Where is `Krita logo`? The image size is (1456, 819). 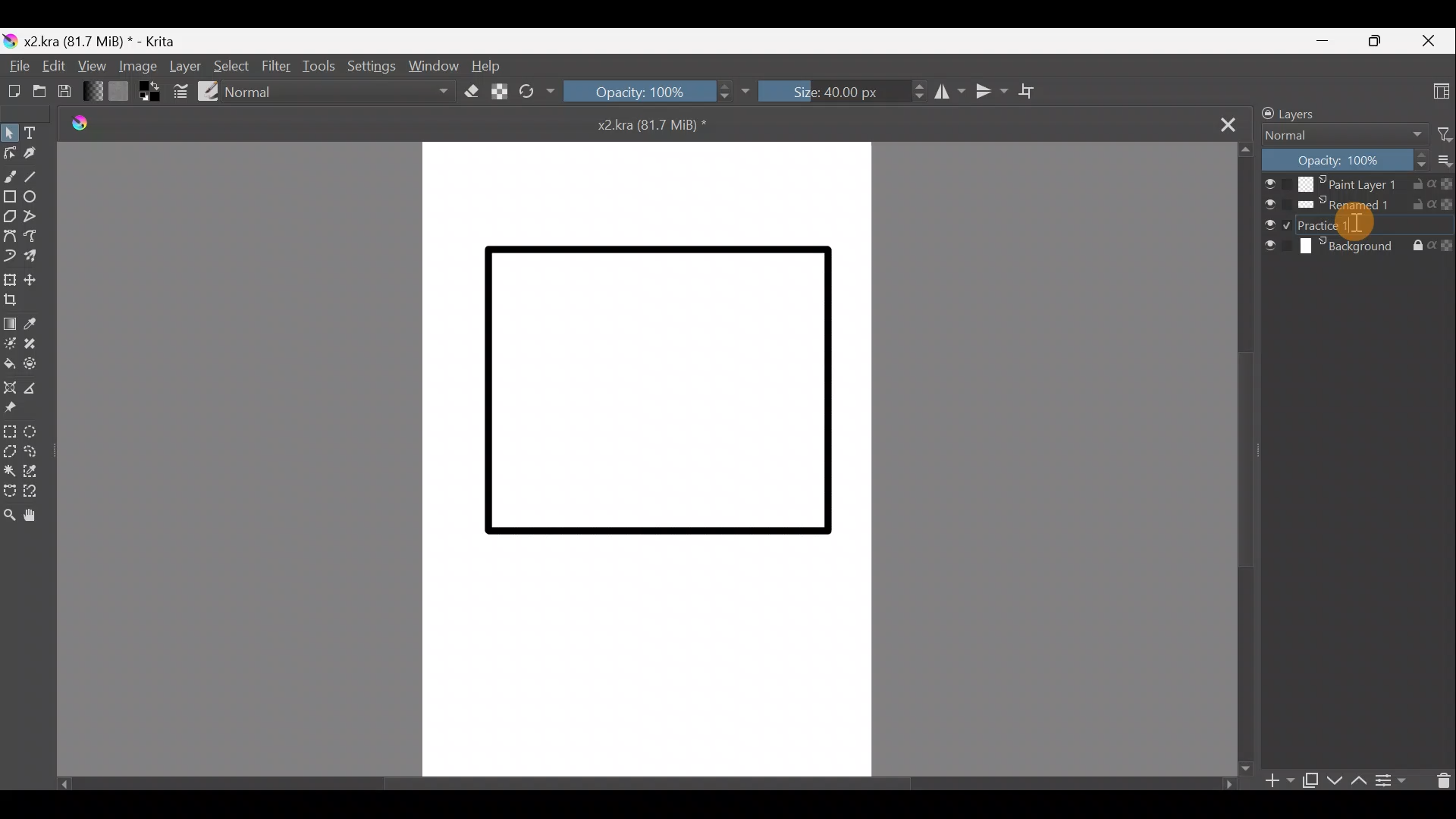 Krita logo is located at coordinates (10, 39).